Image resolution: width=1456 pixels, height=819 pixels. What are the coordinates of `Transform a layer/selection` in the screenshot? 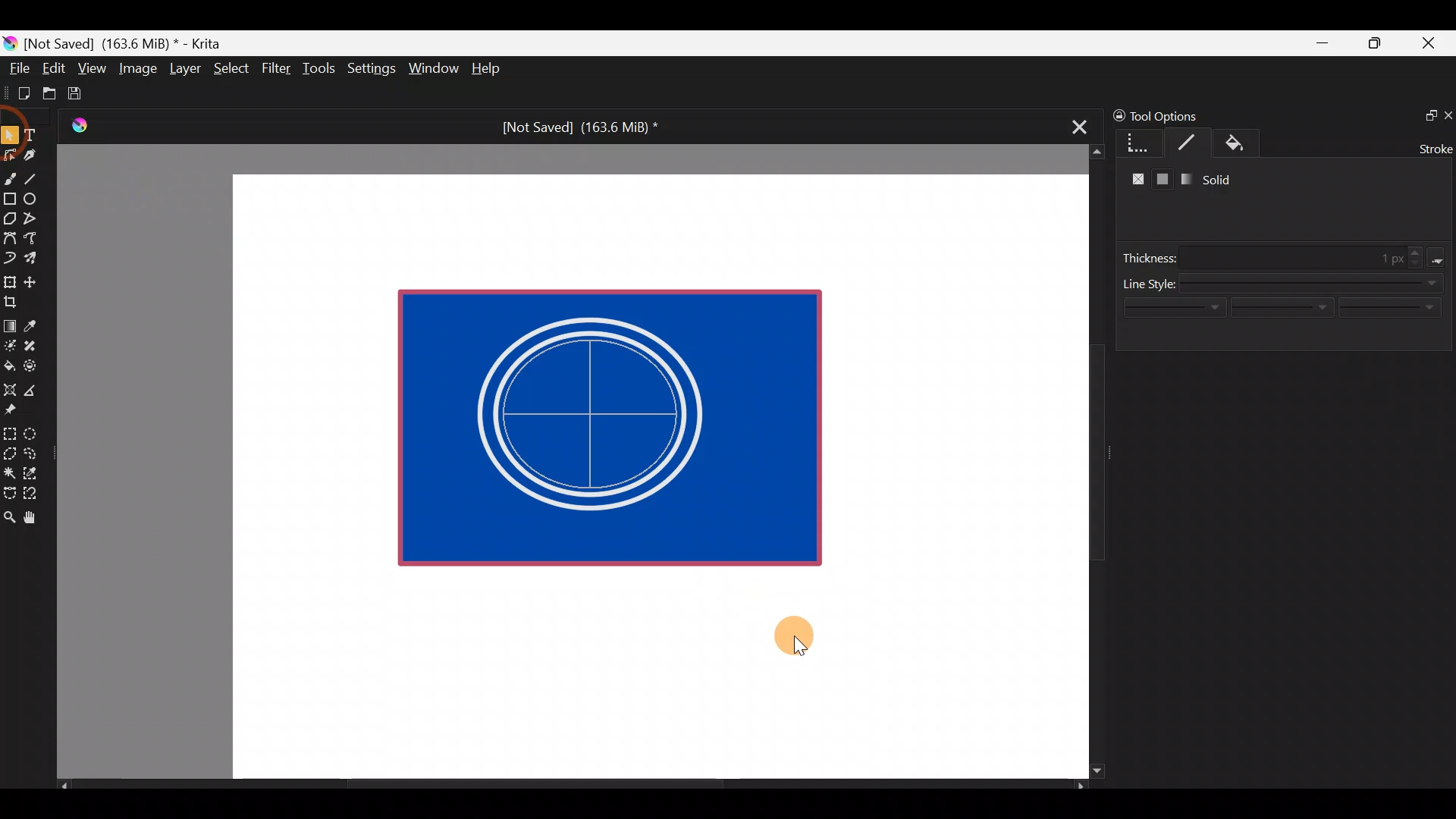 It's located at (9, 279).